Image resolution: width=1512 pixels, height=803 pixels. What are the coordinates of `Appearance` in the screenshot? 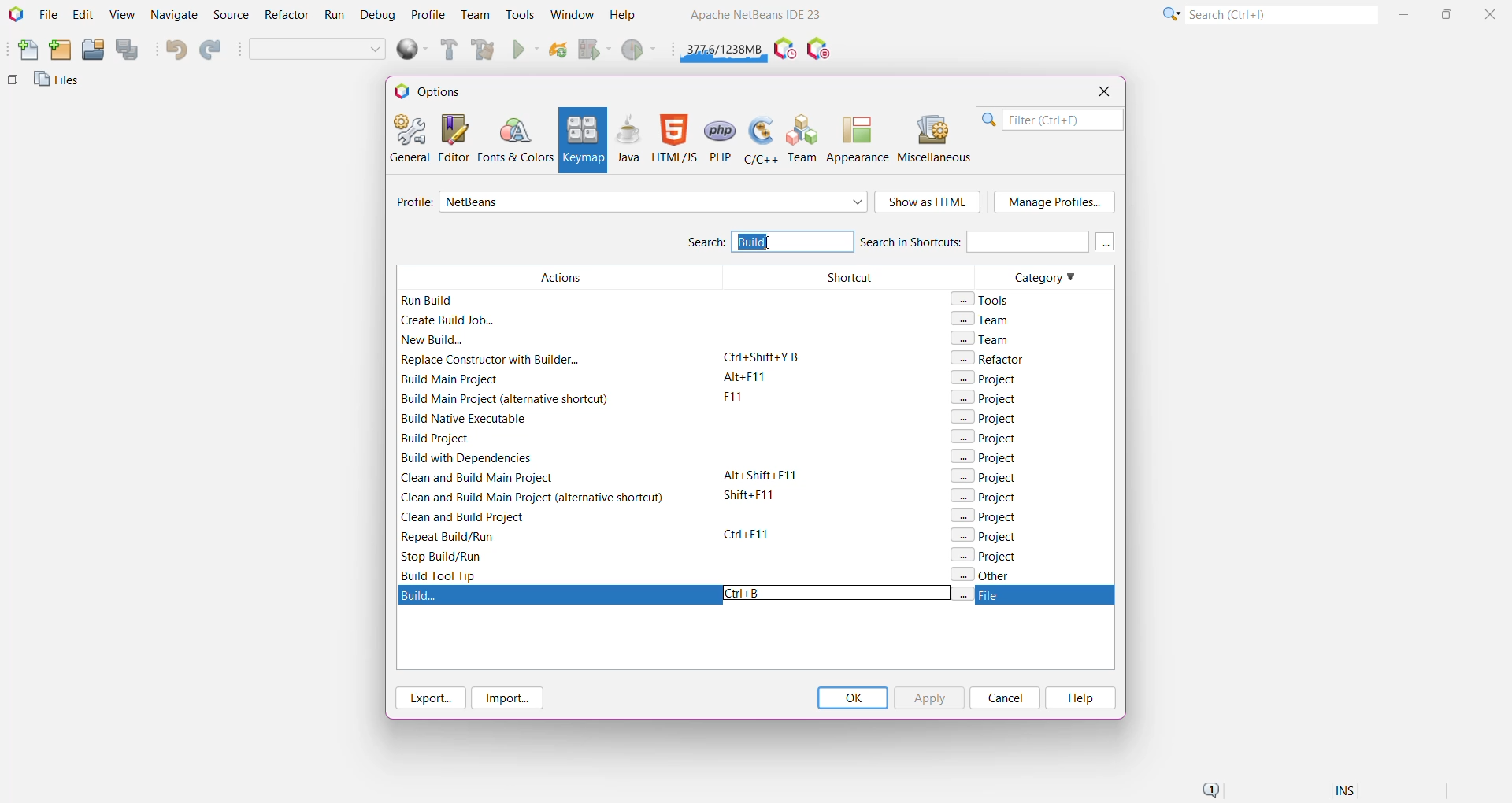 It's located at (858, 139).